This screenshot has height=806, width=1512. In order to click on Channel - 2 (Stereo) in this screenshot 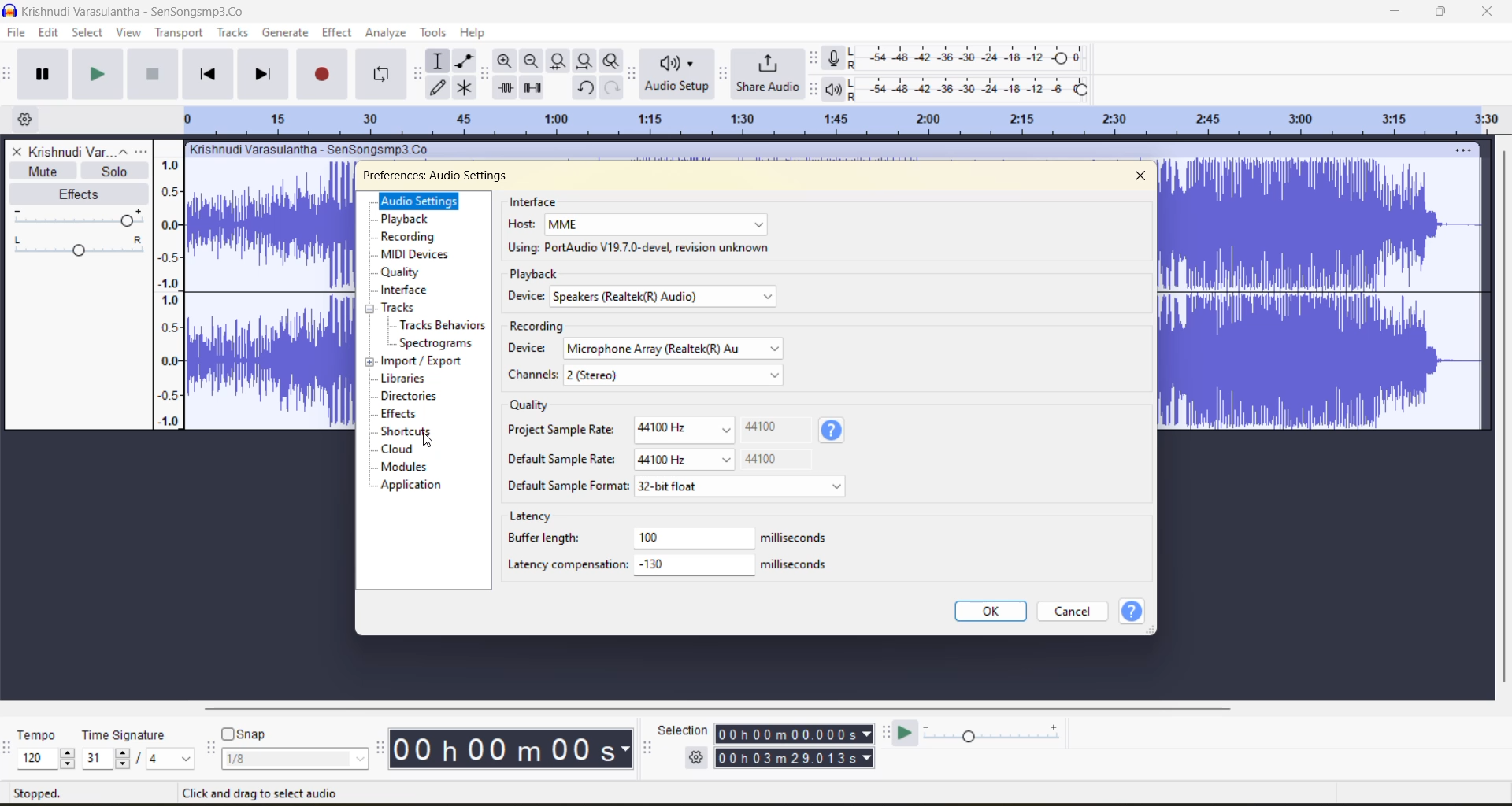, I will do `click(648, 375)`.